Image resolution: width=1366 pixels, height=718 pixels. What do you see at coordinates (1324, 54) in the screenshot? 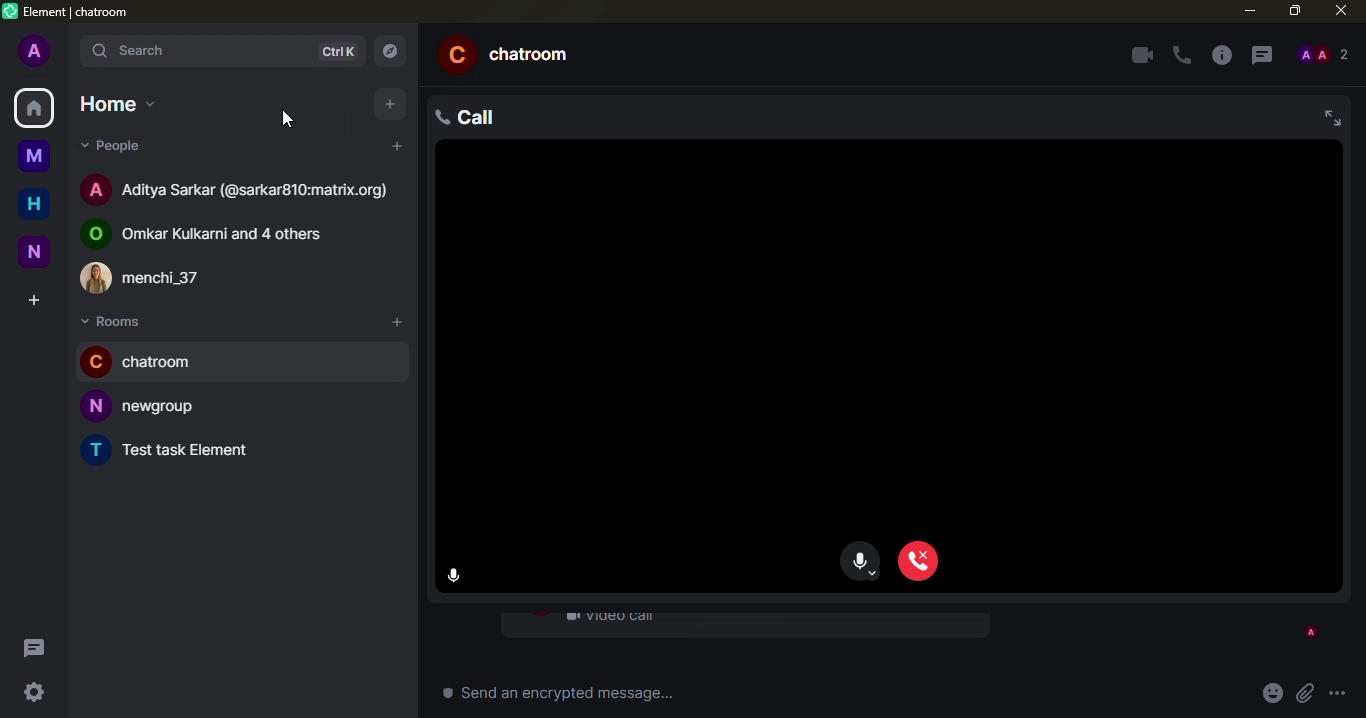
I see `people` at bounding box center [1324, 54].